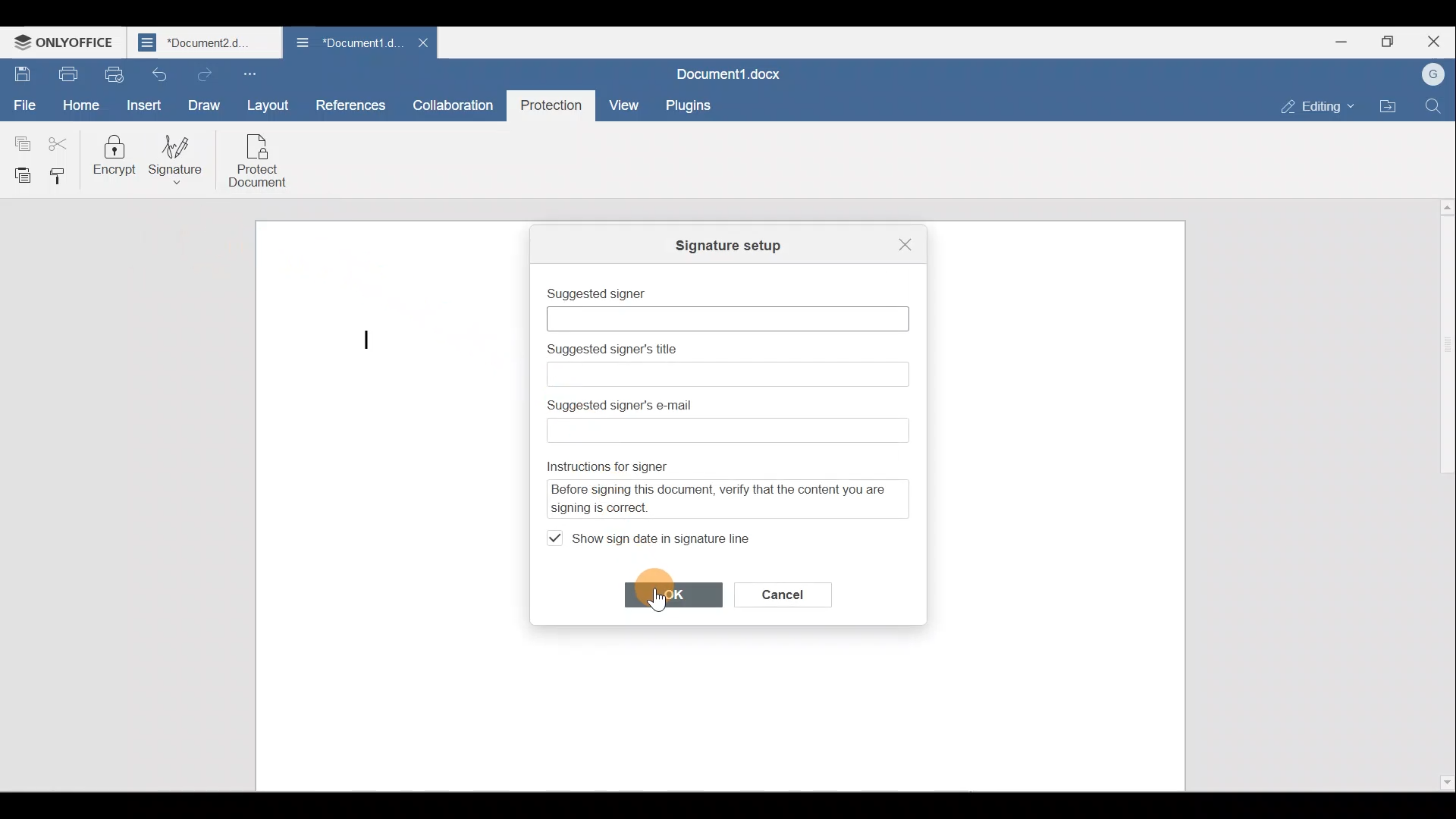 The width and height of the screenshot is (1456, 819). I want to click on Home, so click(80, 105).